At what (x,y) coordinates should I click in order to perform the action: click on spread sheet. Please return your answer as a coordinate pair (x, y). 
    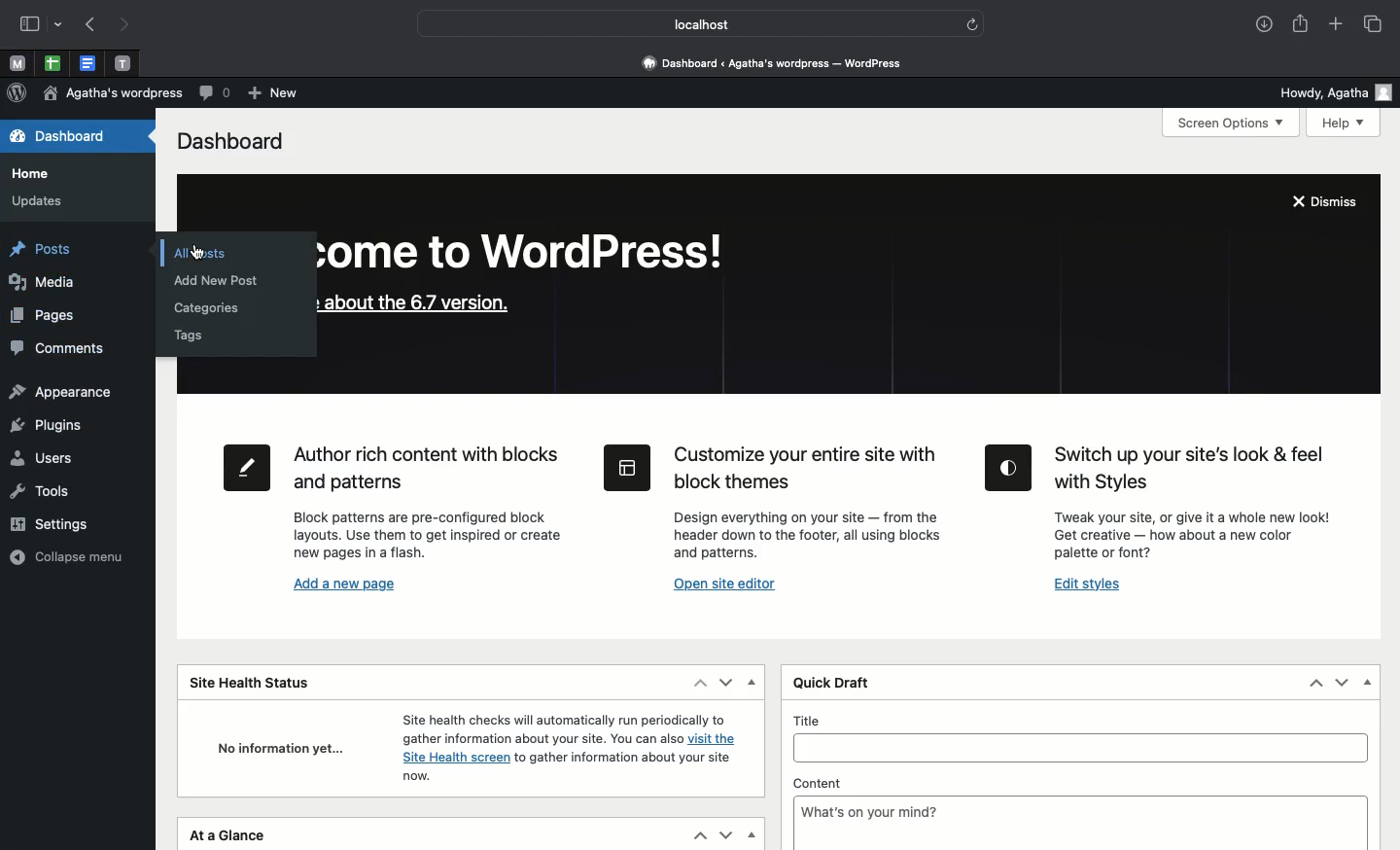
    Looking at the image, I should click on (52, 63).